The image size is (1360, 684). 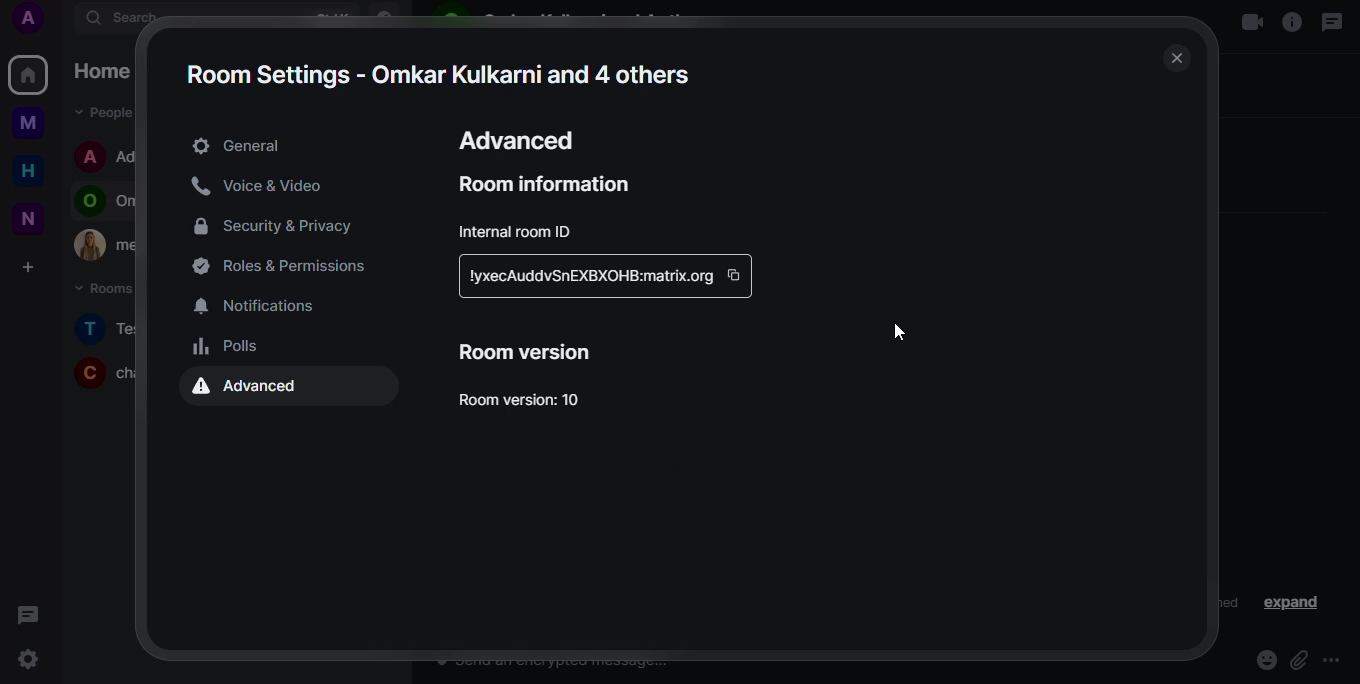 What do you see at coordinates (109, 158) in the screenshot?
I see `contact` at bounding box center [109, 158].